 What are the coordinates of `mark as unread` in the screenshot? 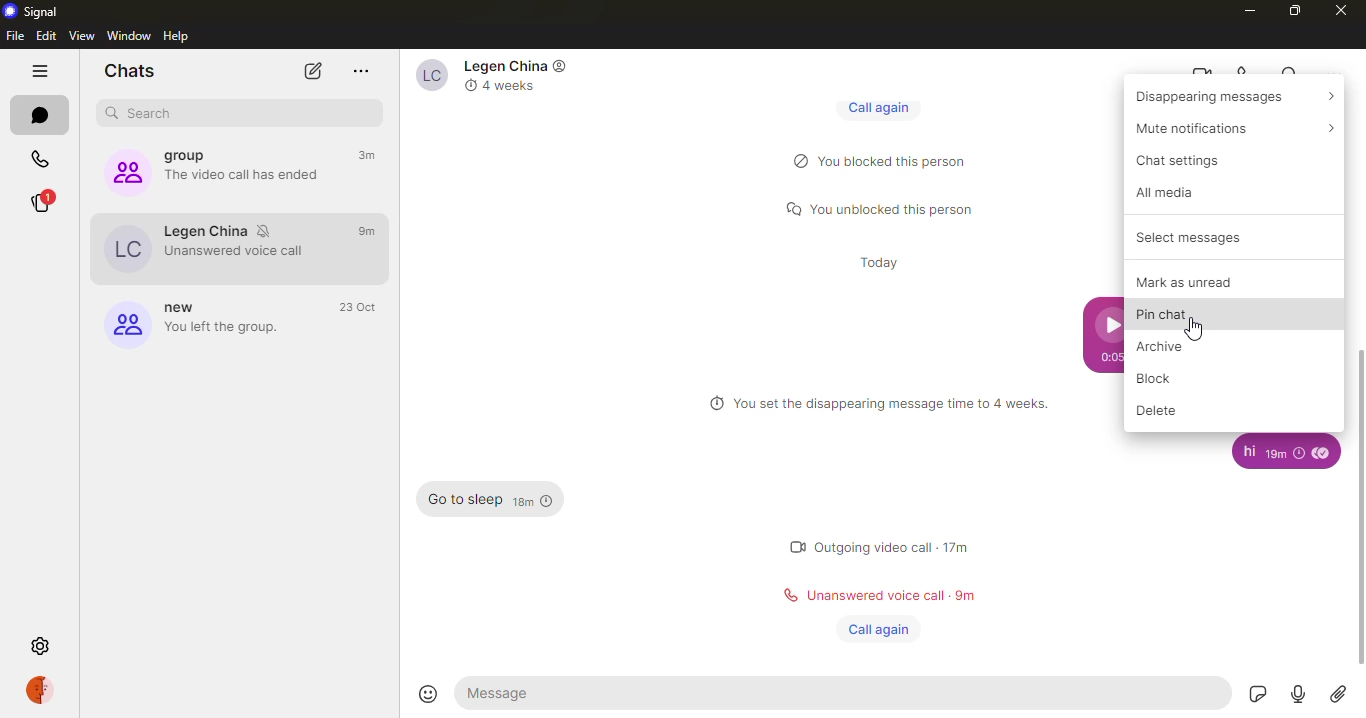 It's located at (1193, 282).